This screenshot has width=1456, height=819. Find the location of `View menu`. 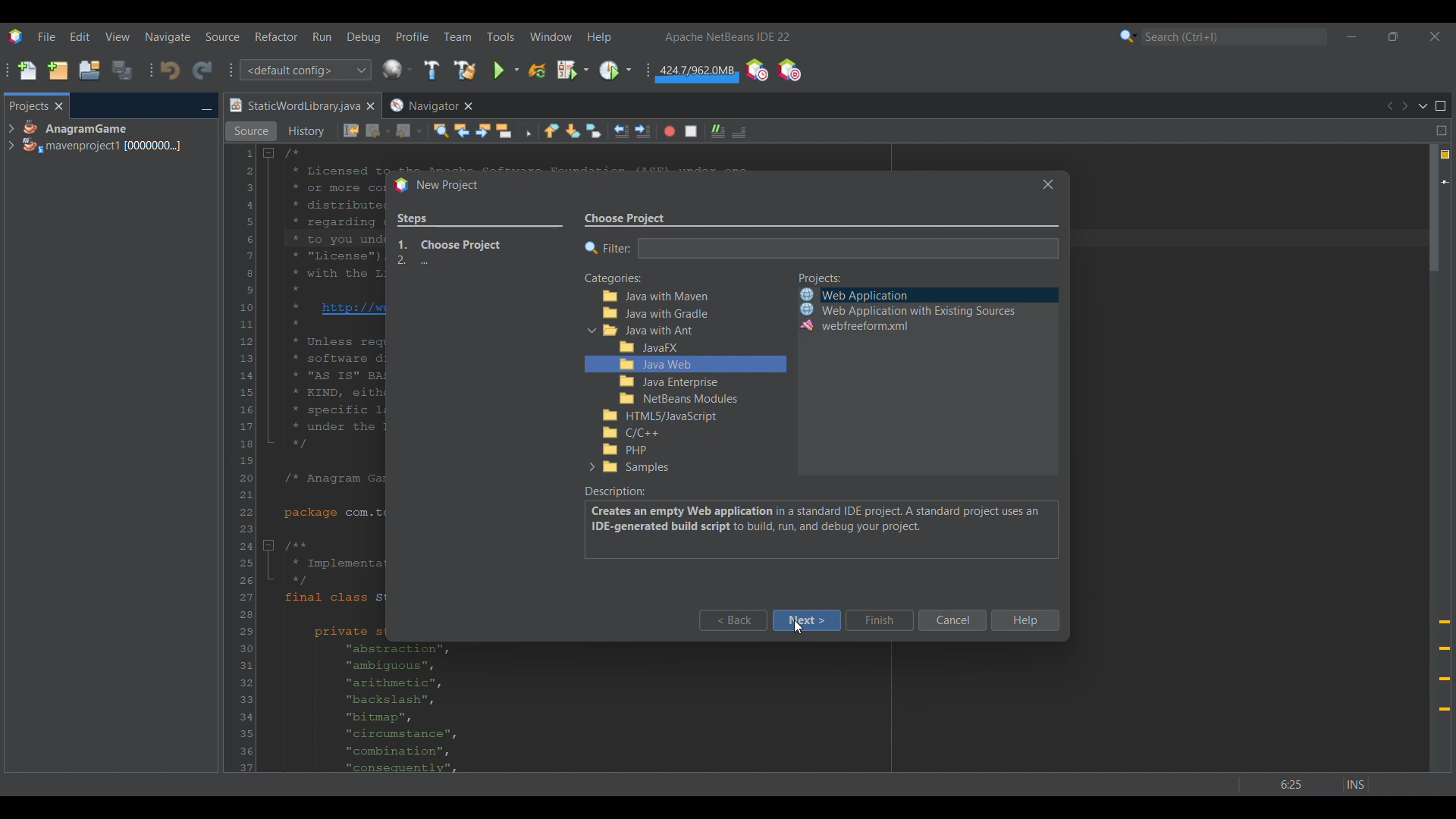

View menu is located at coordinates (118, 36).